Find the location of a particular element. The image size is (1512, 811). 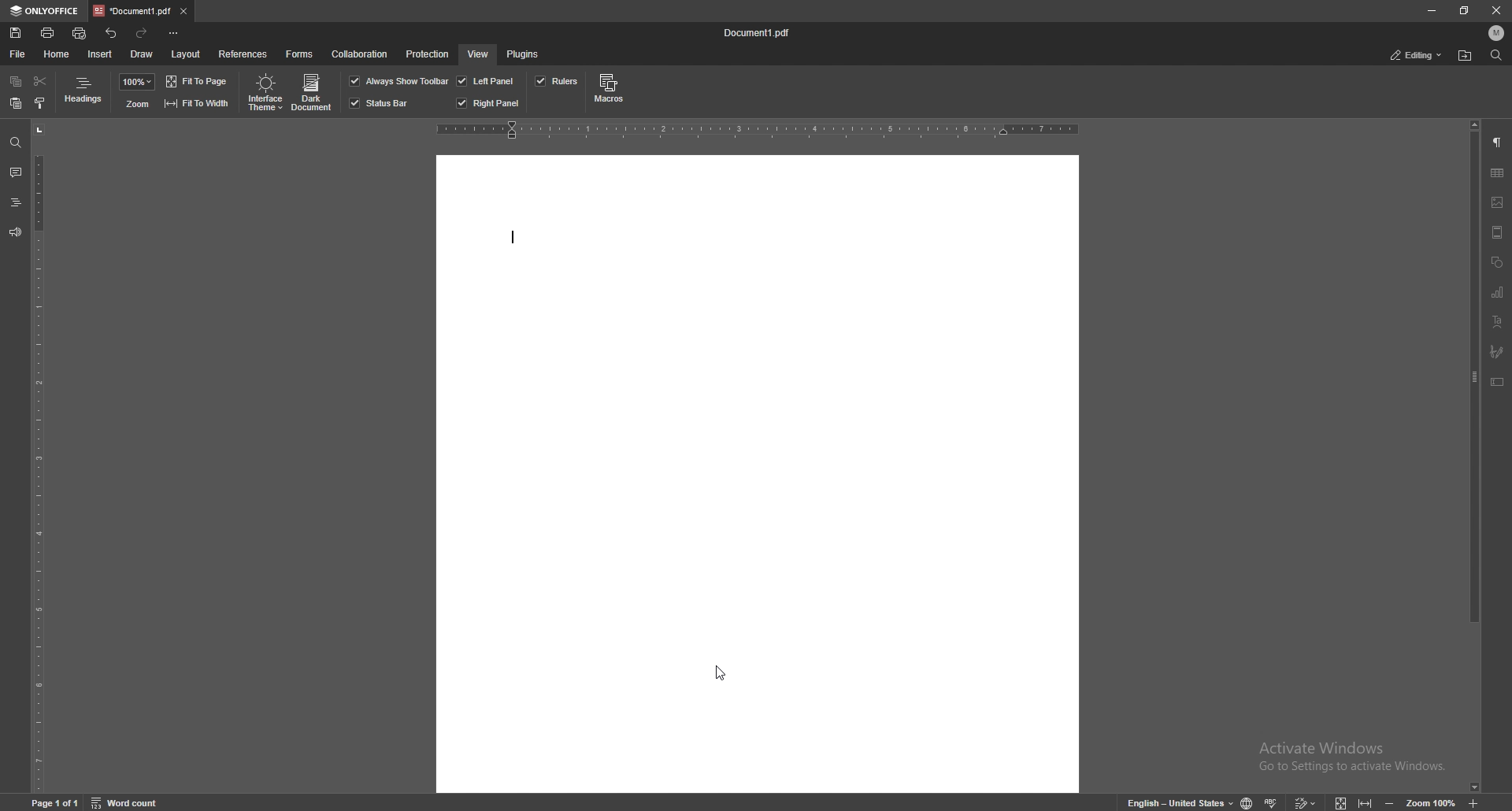

headings is located at coordinates (84, 93).